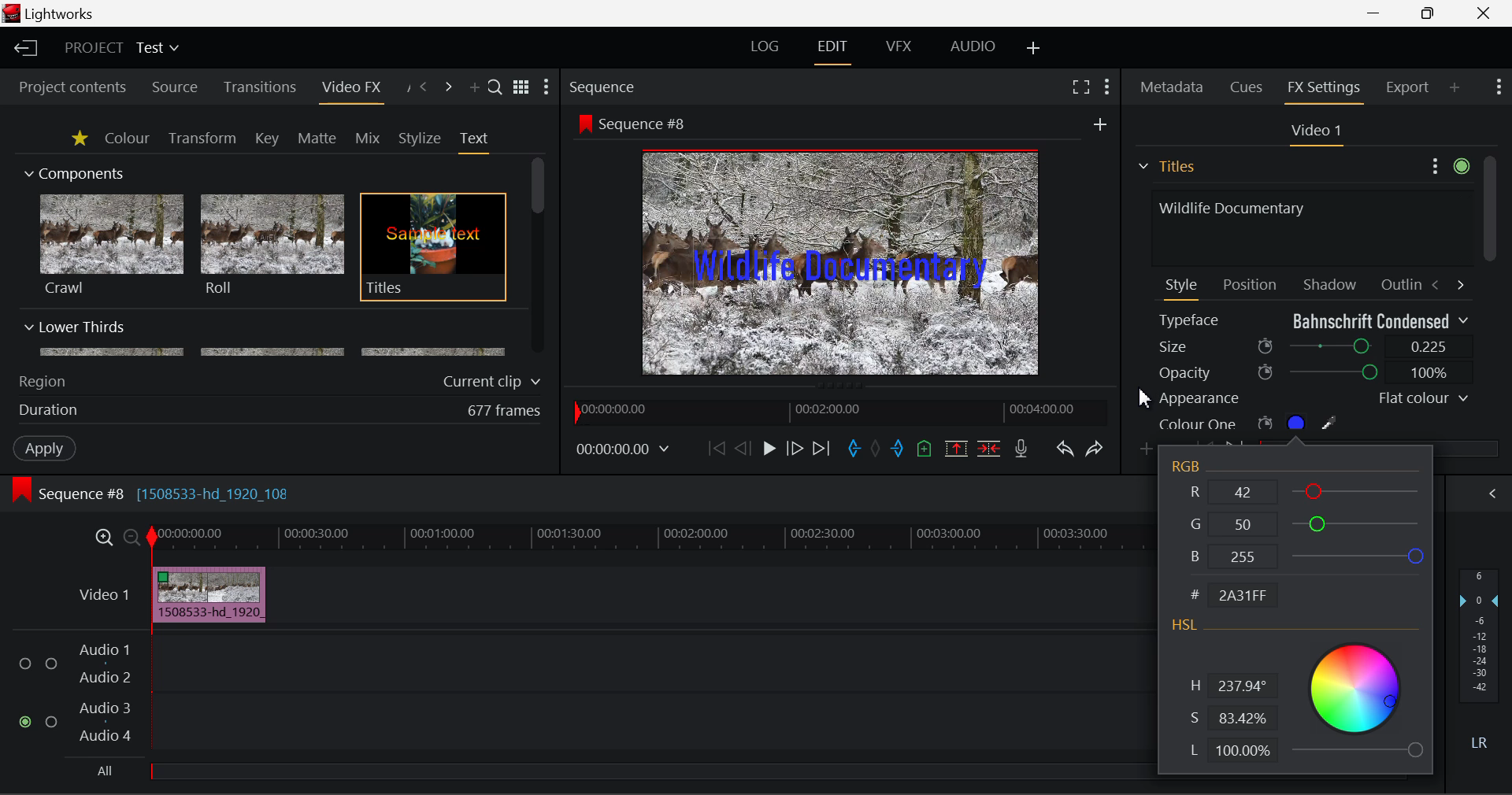 This screenshot has height=795, width=1512. Describe the element at coordinates (204, 139) in the screenshot. I see `Transform` at that location.